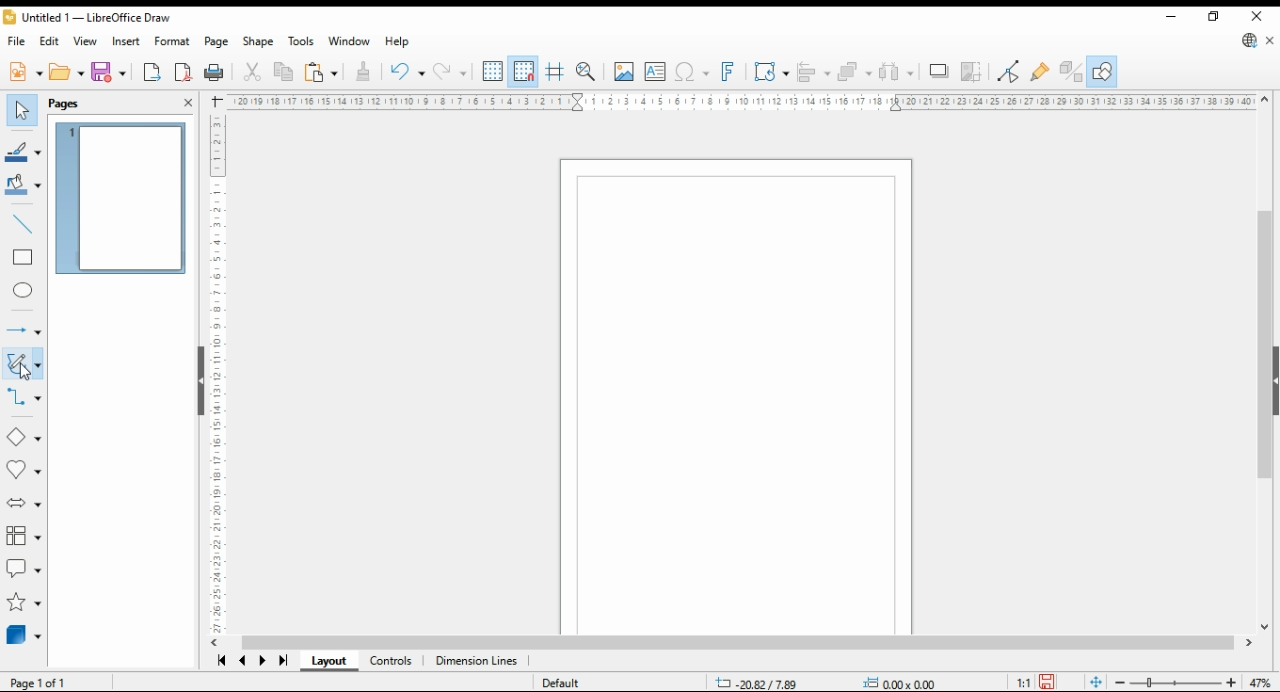 The height and width of the screenshot is (692, 1280). I want to click on Page, so click(736, 397).